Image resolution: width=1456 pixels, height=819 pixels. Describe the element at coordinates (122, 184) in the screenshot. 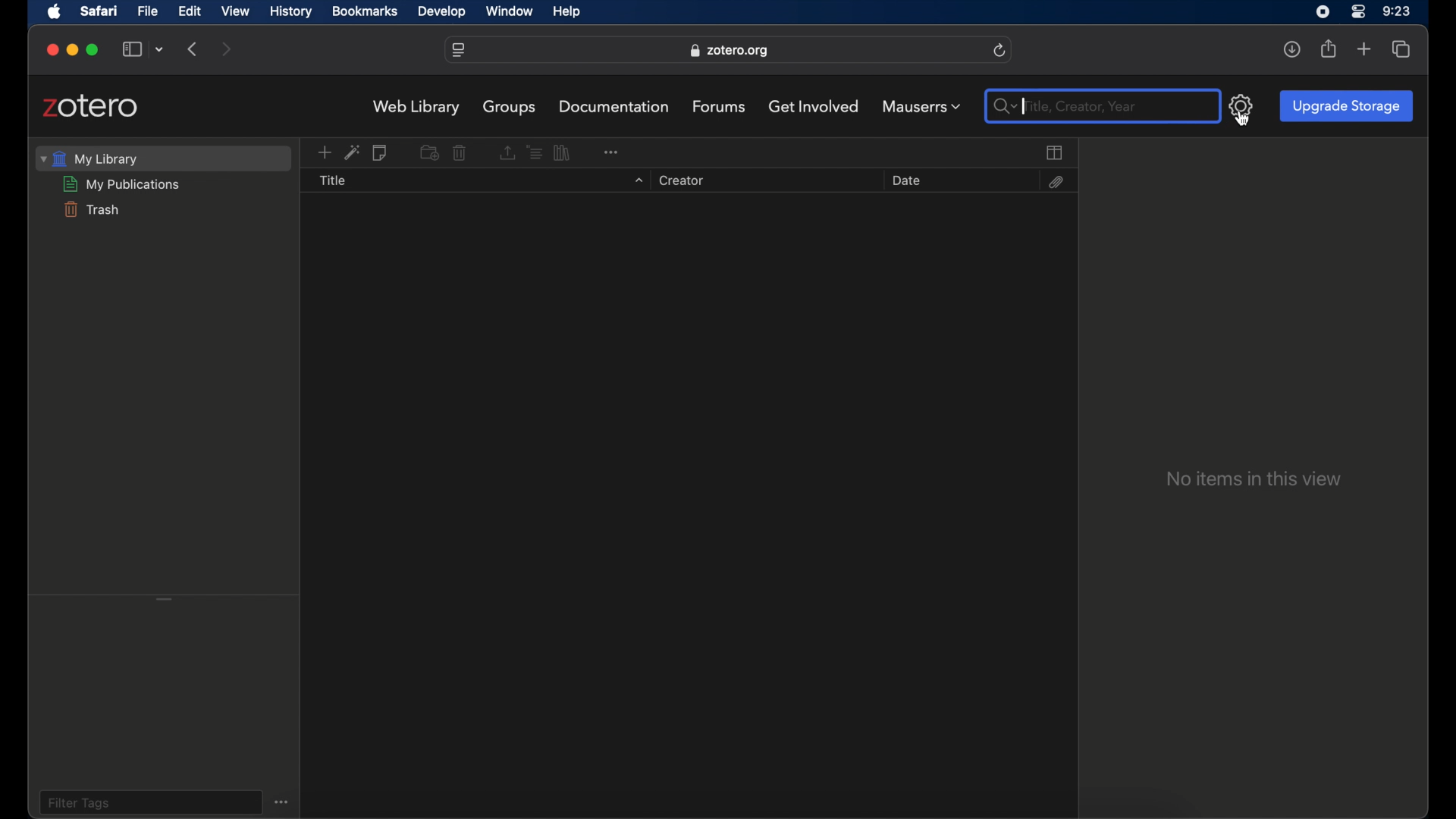

I see `my publications` at that location.